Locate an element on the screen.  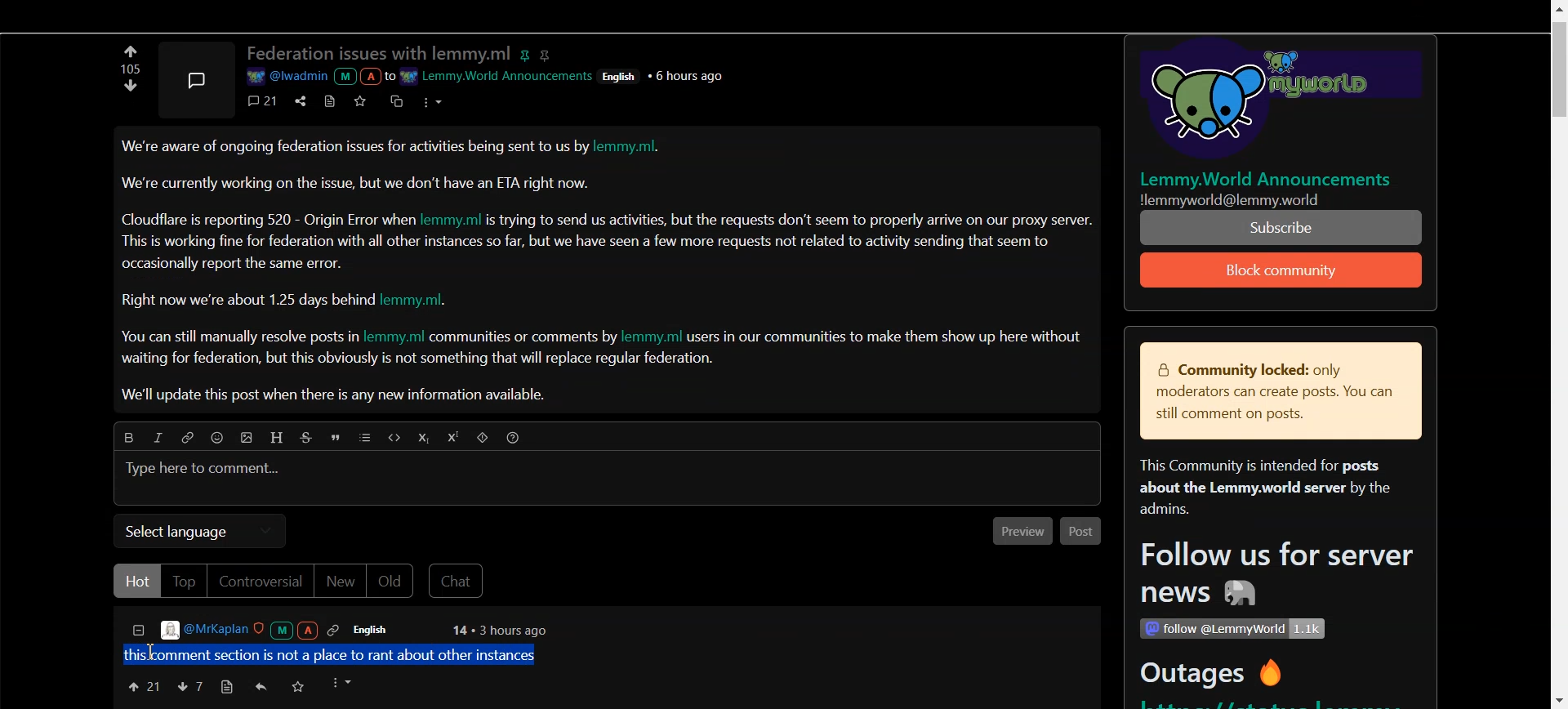
We're aware of ongoing federation issues for activities being sent to us by is located at coordinates (355, 150).